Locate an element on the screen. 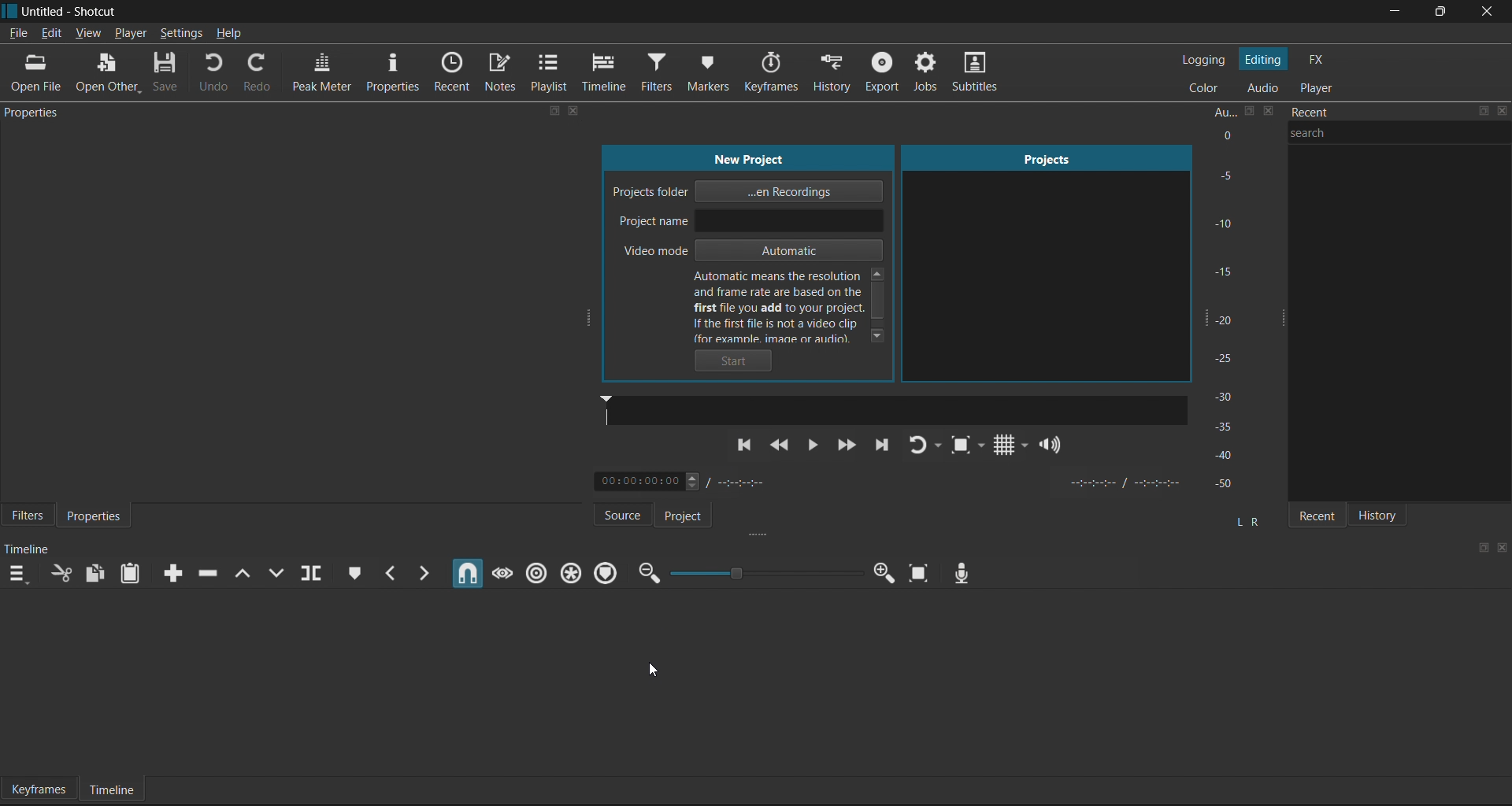 The image size is (1512, 806). FX is located at coordinates (1318, 61).